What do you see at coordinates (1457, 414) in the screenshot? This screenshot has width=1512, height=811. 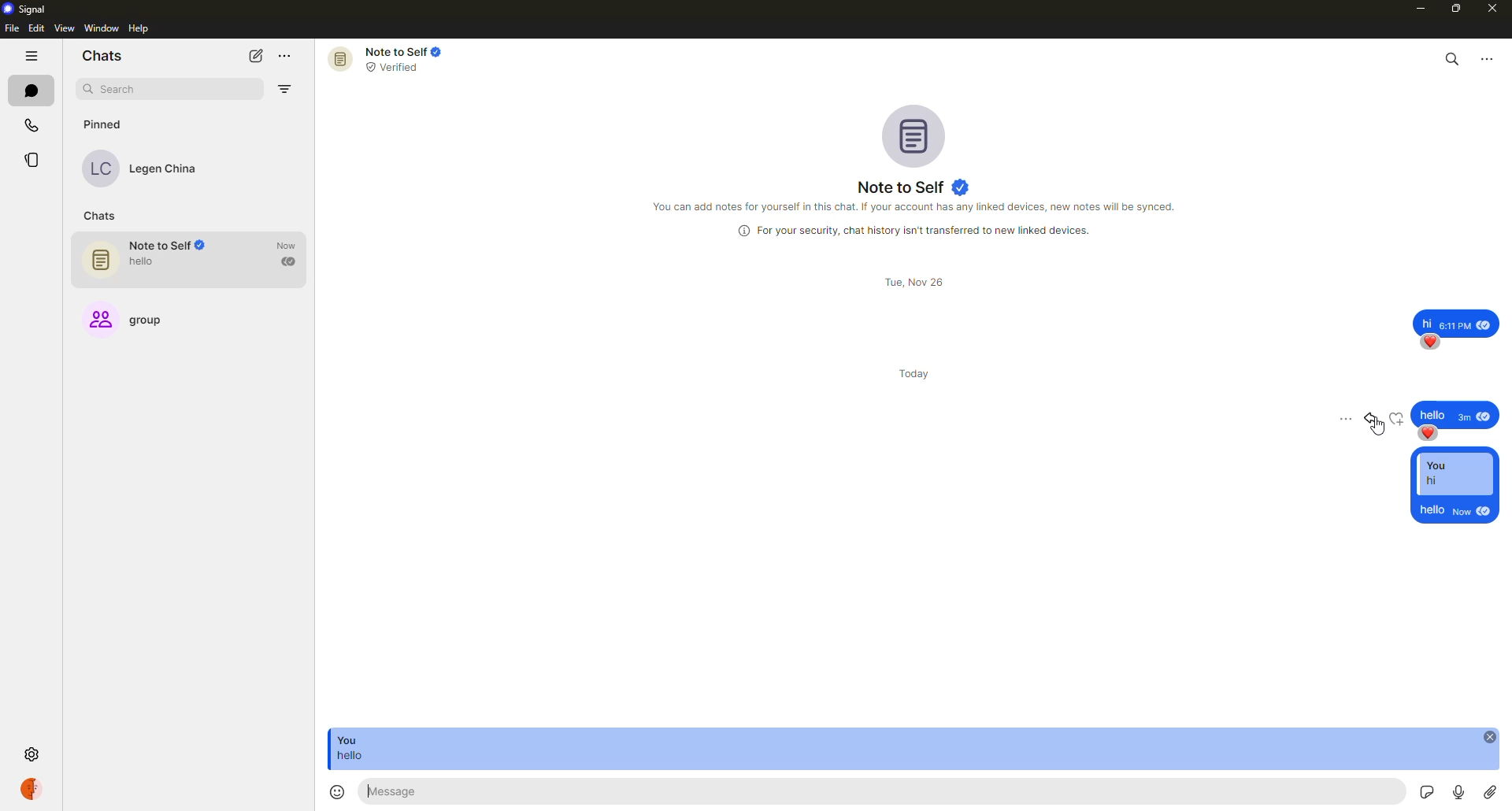 I see `message` at bounding box center [1457, 414].